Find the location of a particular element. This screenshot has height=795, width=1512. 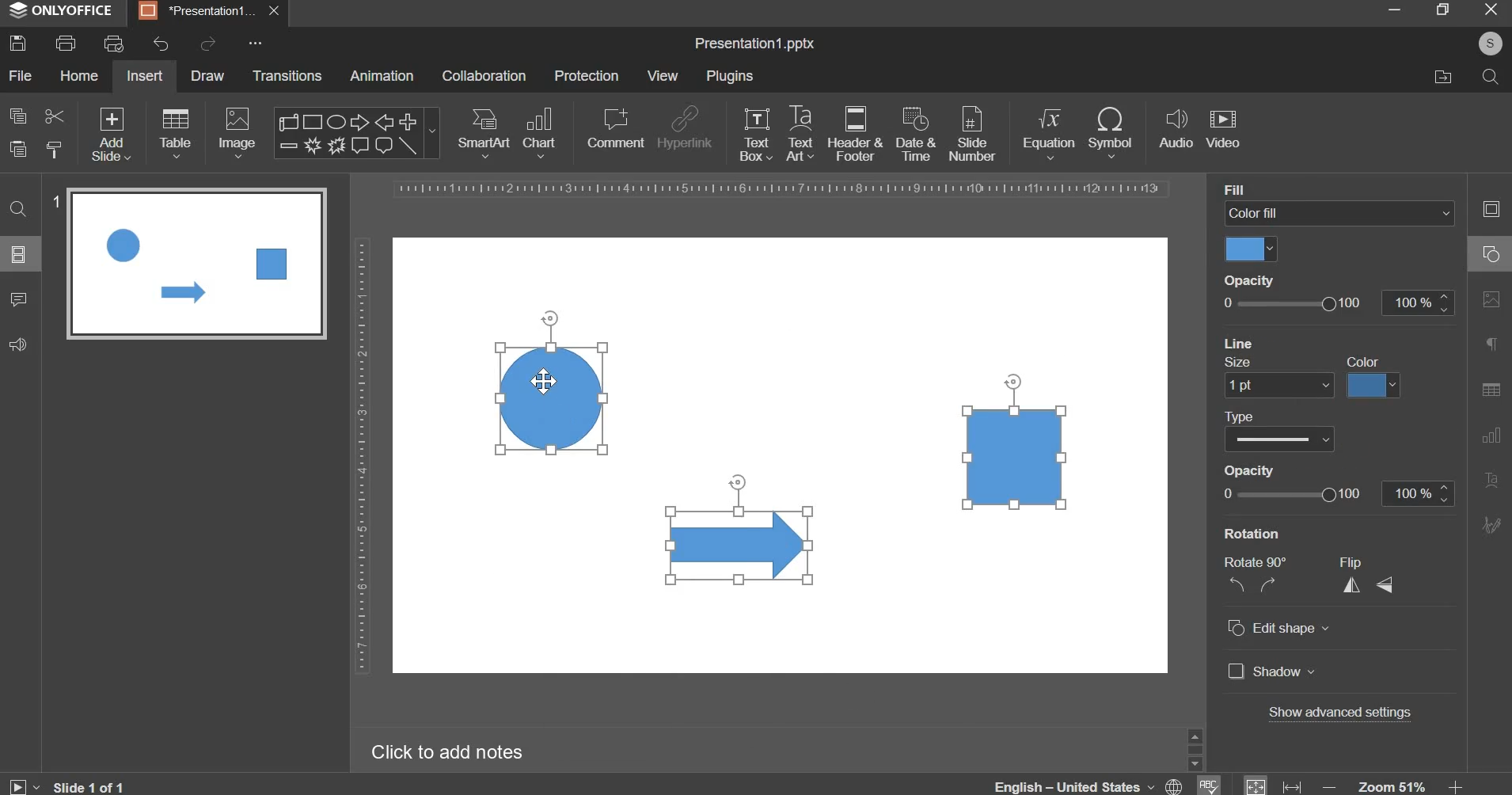

hyperlink is located at coordinates (684, 130).